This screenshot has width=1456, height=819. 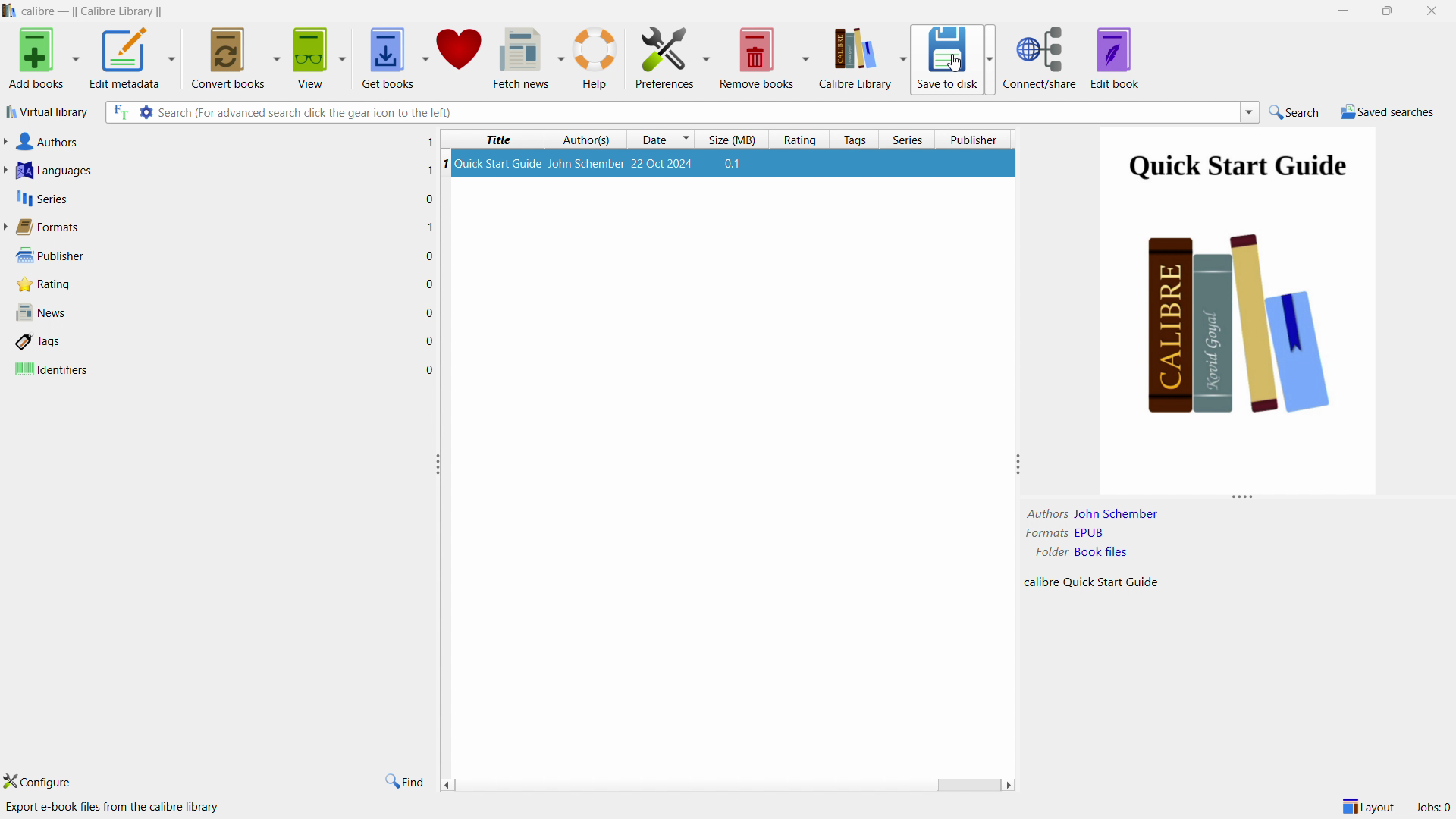 What do you see at coordinates (48, 256) in the screenshot?
I see `Publisher` at bounding box center [48, 256].